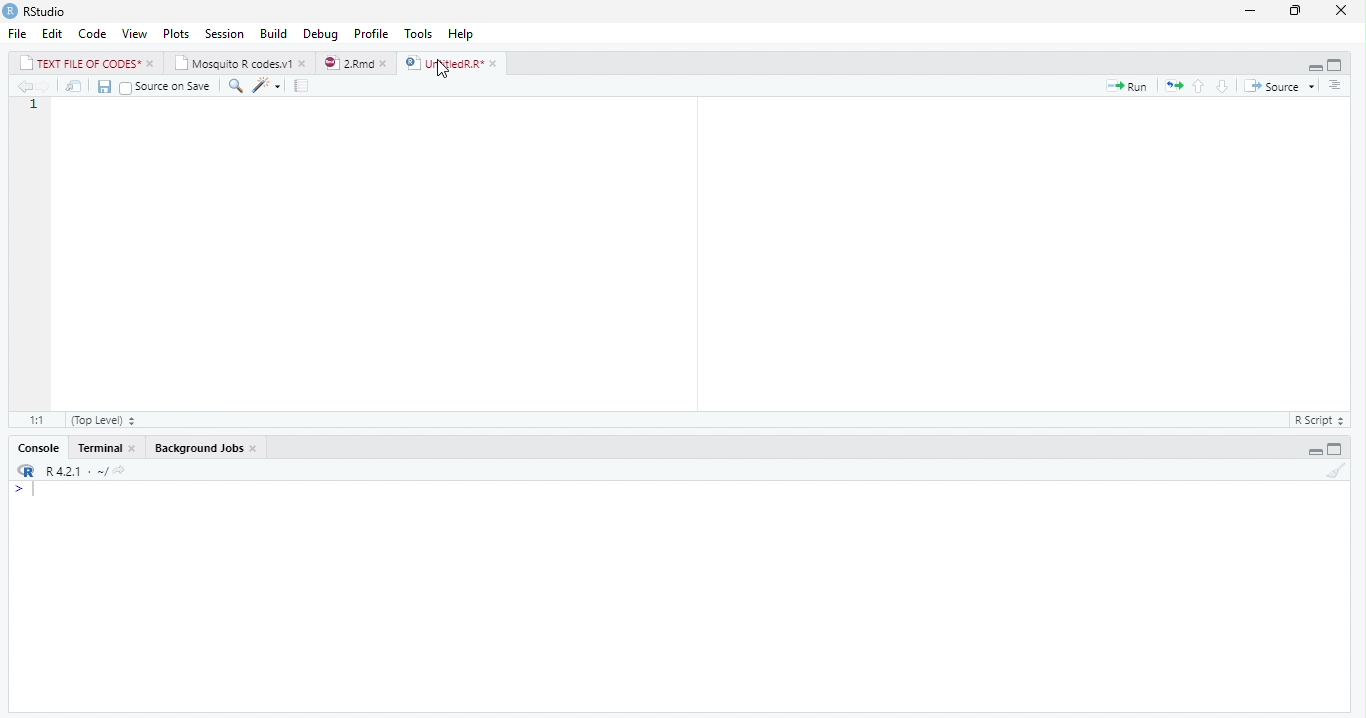  I want to click on (Top level), so click(107, 421).